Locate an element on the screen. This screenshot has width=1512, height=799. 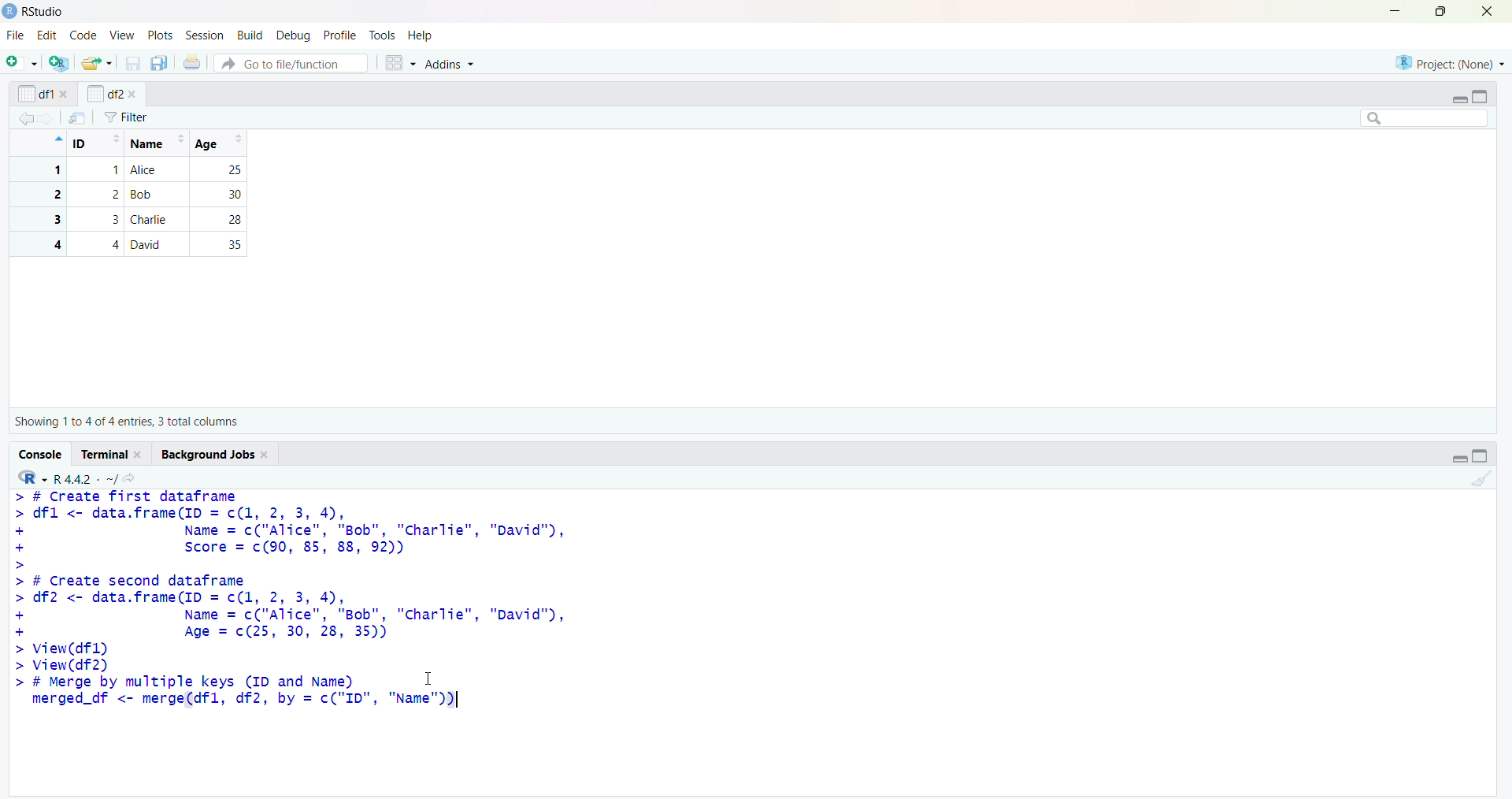
close is located at coordinates (132, 95).